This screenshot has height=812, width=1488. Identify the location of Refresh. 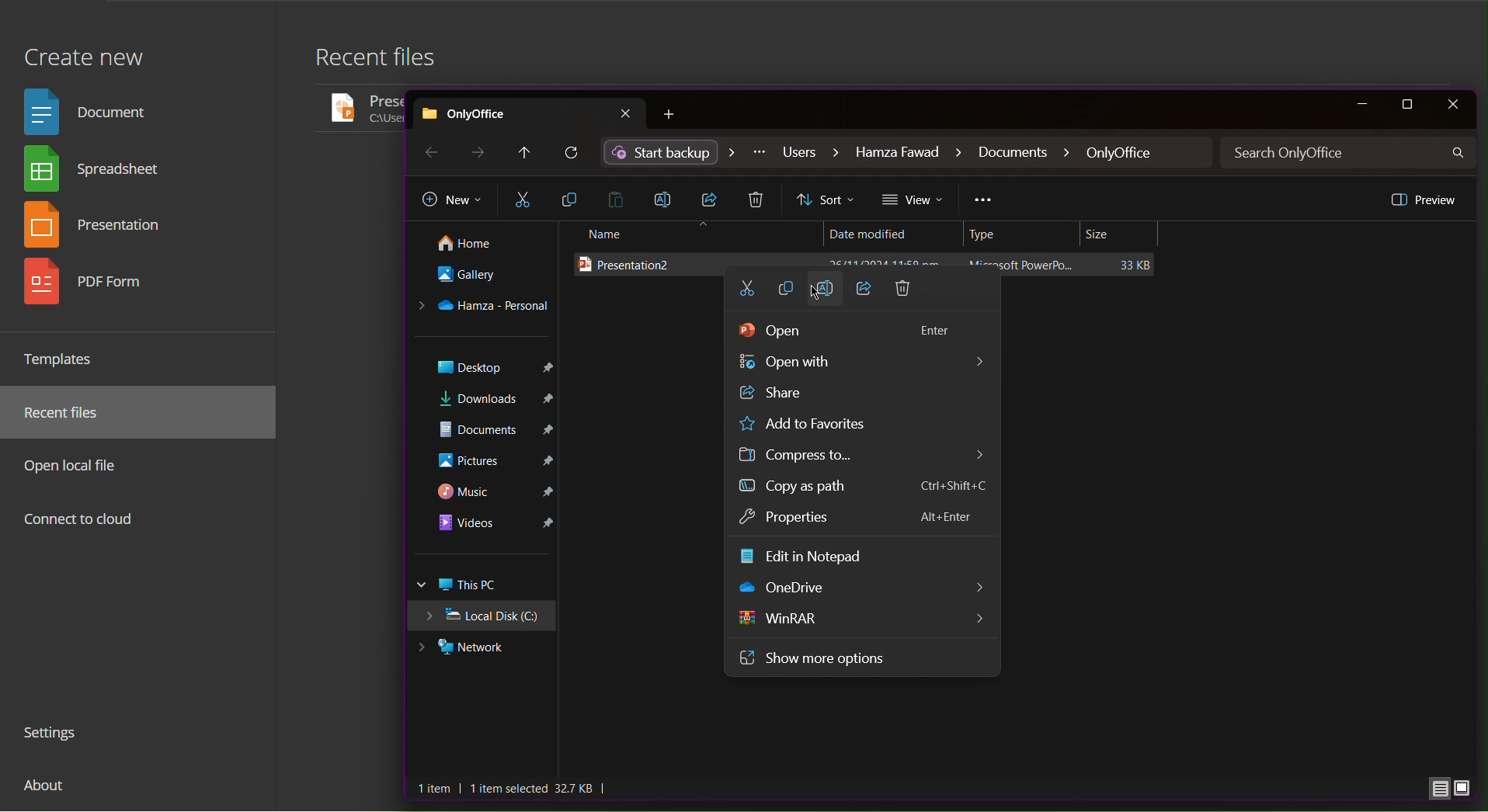
(573, 154).